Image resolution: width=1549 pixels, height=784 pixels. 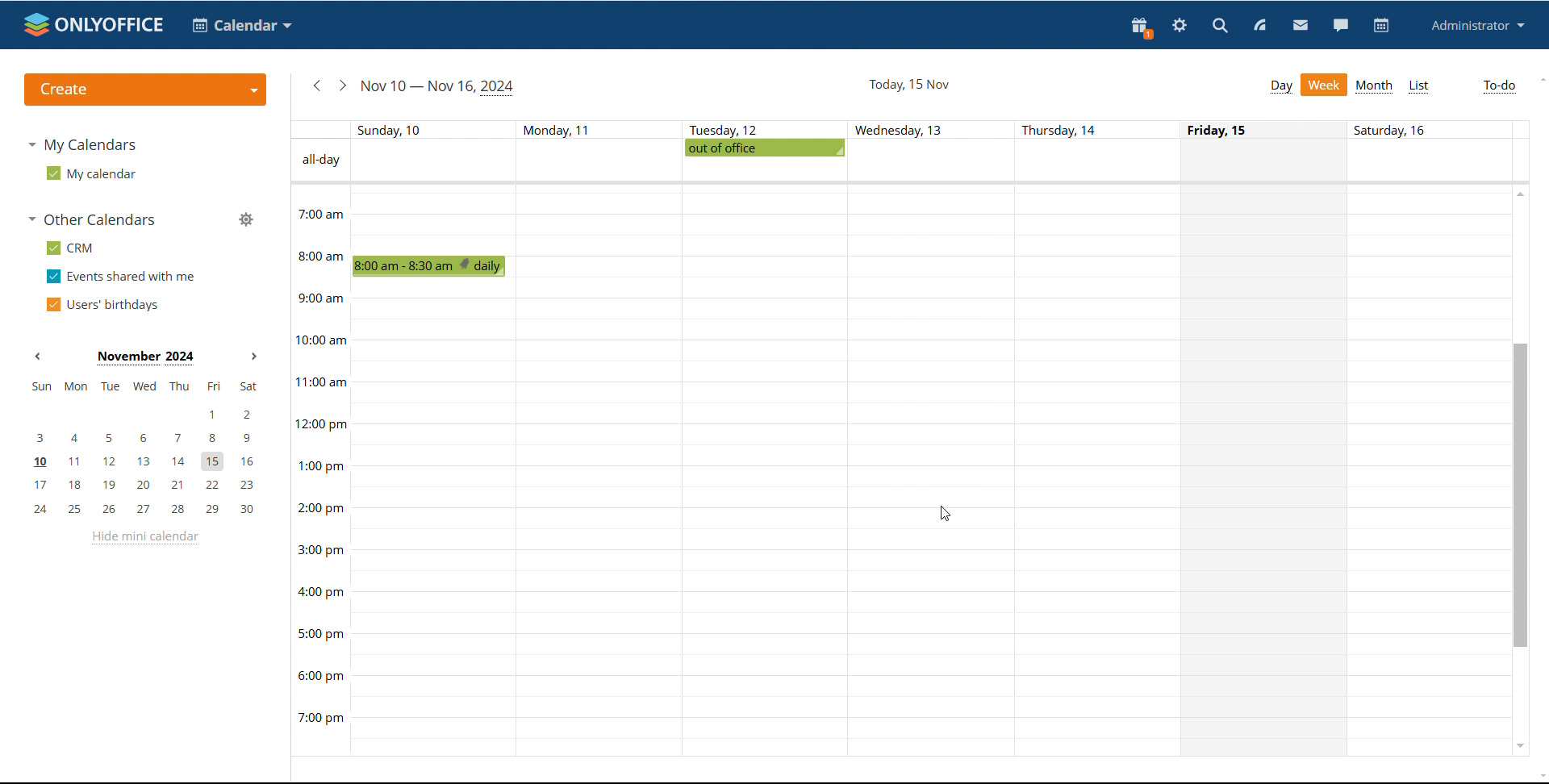 What do you see at coordinates (1380, 26) in the screenshot?
I see `calendar` at bounding box center [1380, 26].